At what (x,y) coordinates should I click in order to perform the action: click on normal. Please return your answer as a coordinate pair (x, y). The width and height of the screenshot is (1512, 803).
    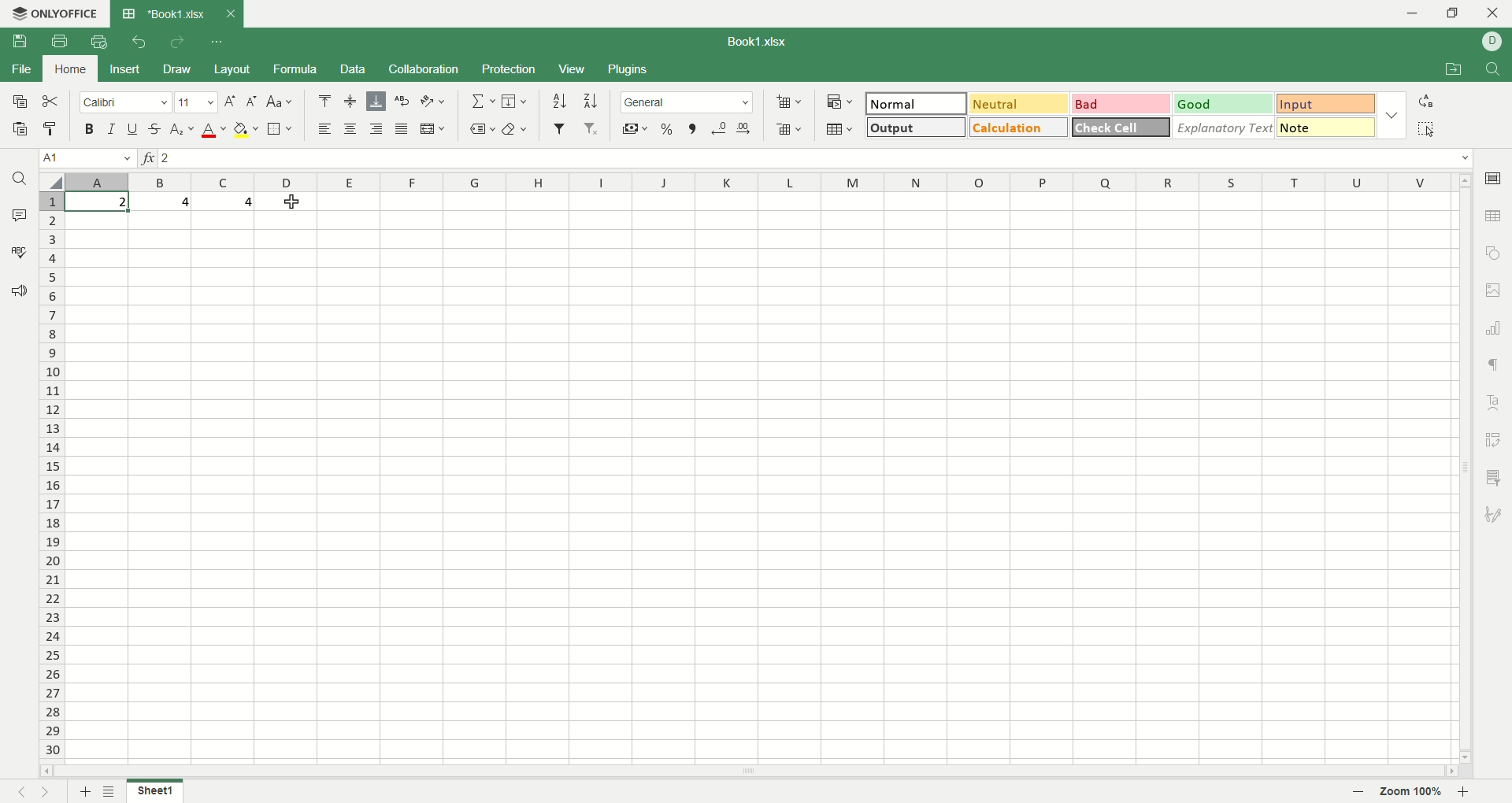
    Looking at the image, I should click on (919, 102).